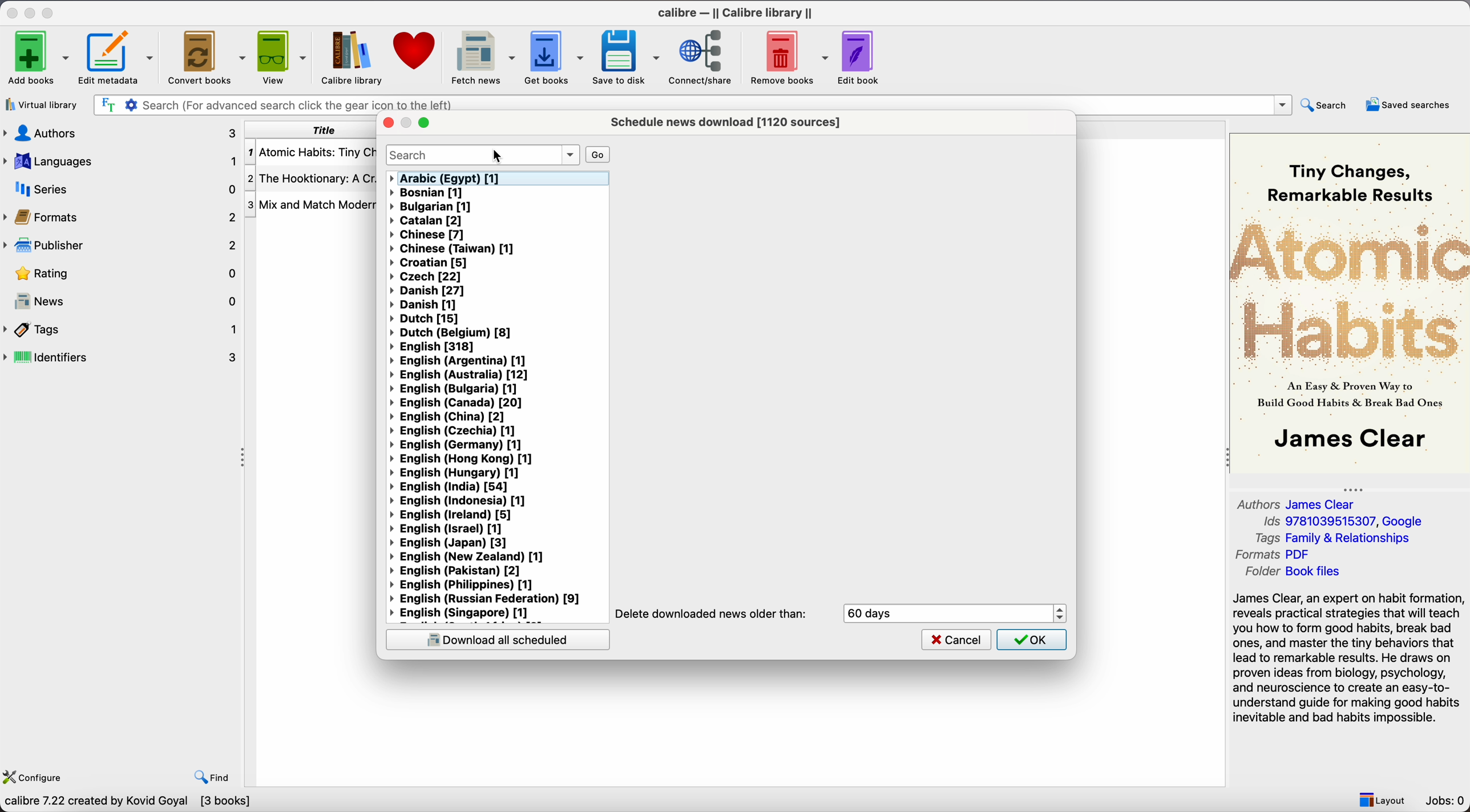 The height and width of the screenshot is (812, 1470). What do you see at coordinates (118, 57) in the screenshot?
I see `Edit metadata` at bounding box center [118, 57].